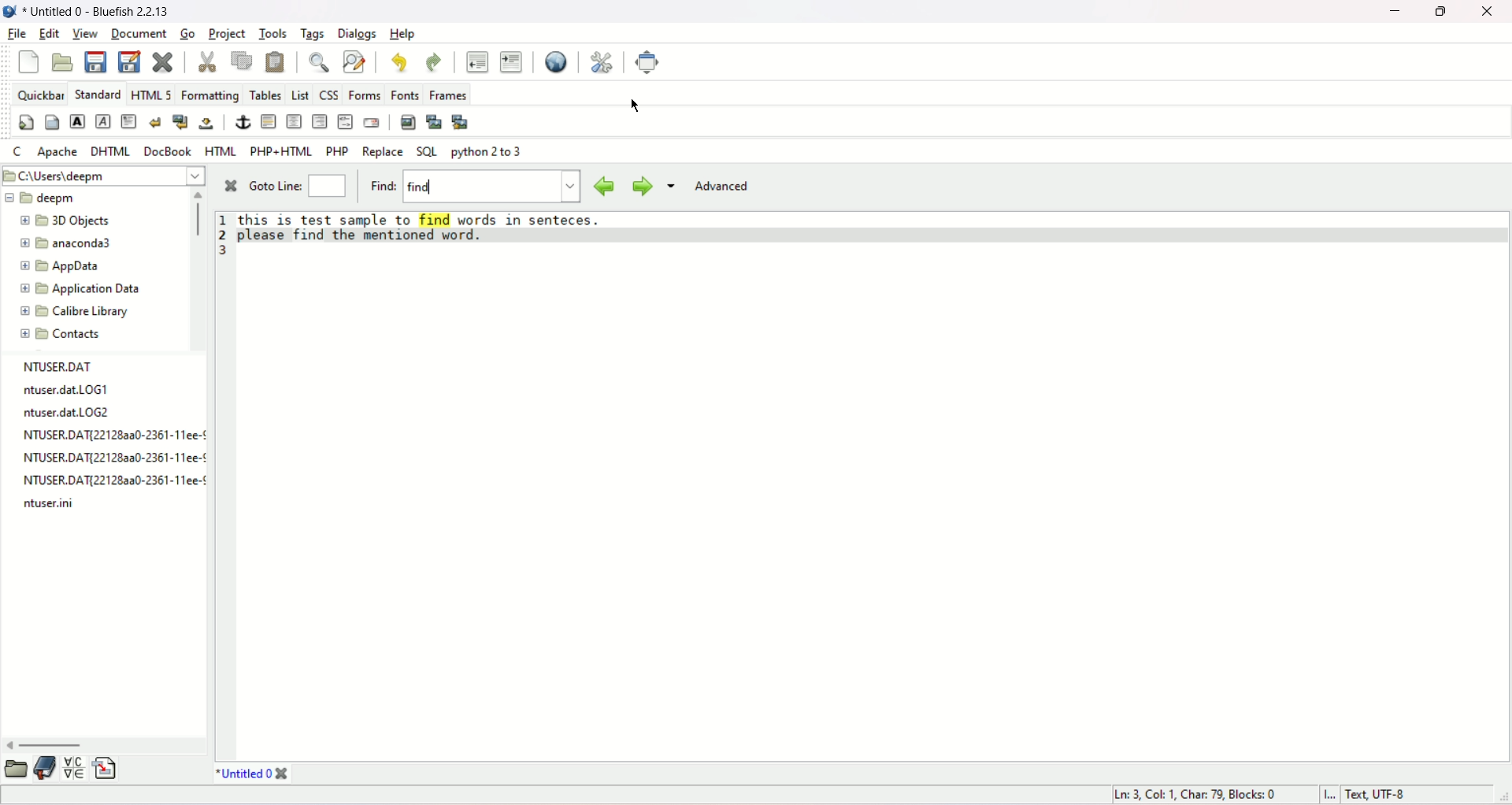 The height and width of the screenshot is (805, 1512). Describe the element at coordinates (354, 61) in the screenshot. I see `advance find and replace` at that location.